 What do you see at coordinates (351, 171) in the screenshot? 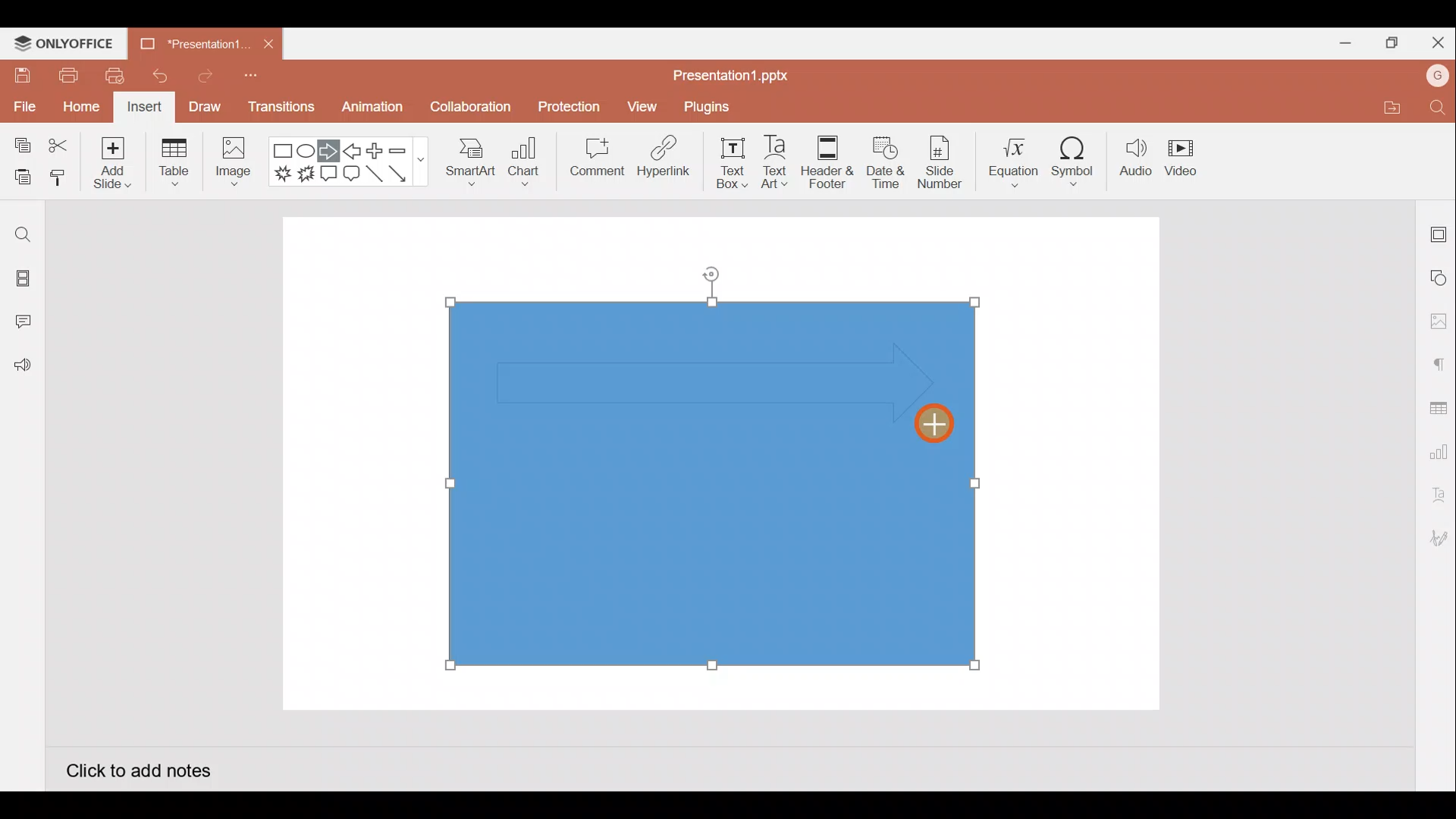
I see `Rounded Rectangular callout` at bounding box center [351, 171].